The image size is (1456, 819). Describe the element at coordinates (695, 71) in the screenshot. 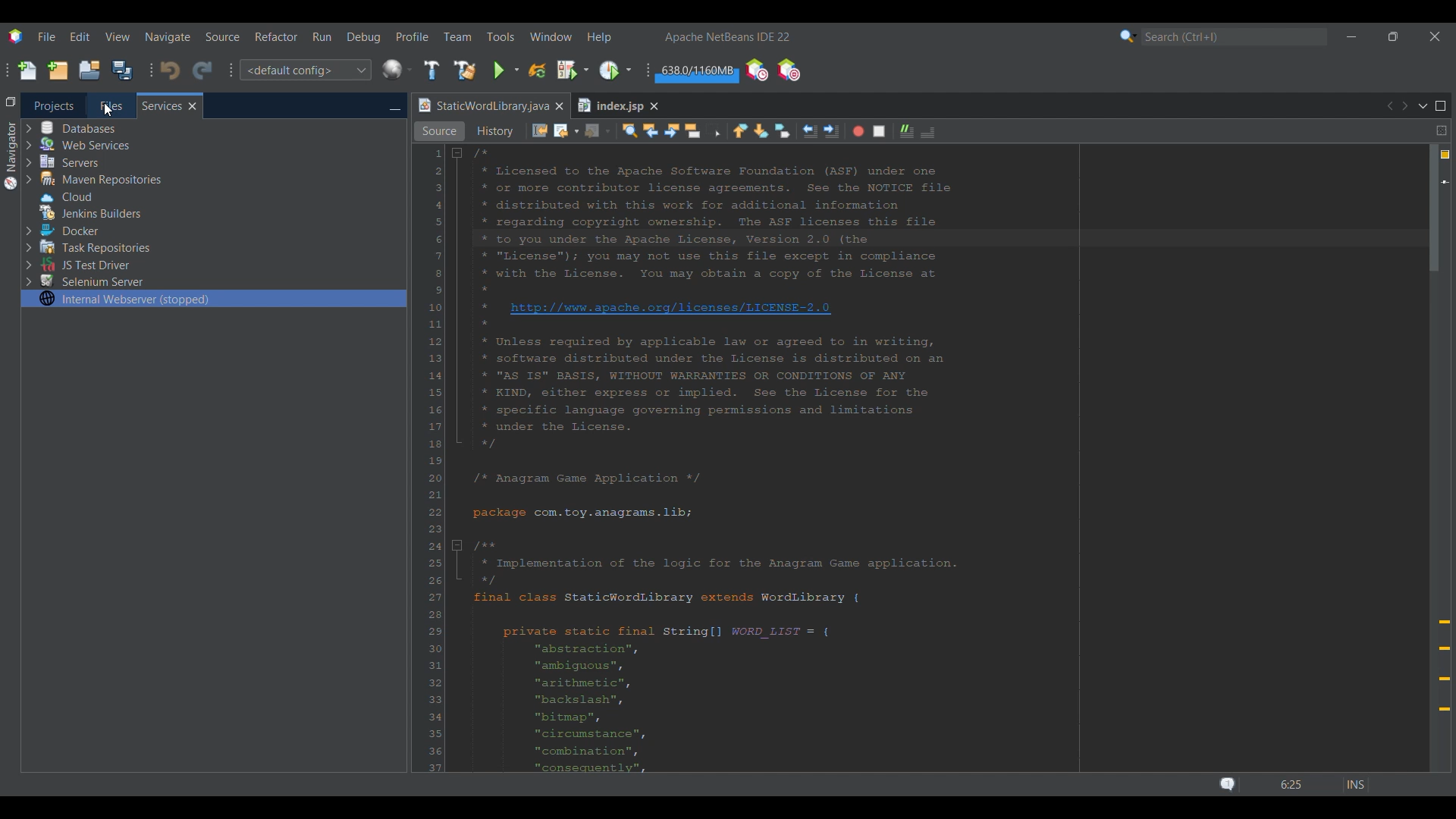

I see `Click to force garbage collection` at that location.